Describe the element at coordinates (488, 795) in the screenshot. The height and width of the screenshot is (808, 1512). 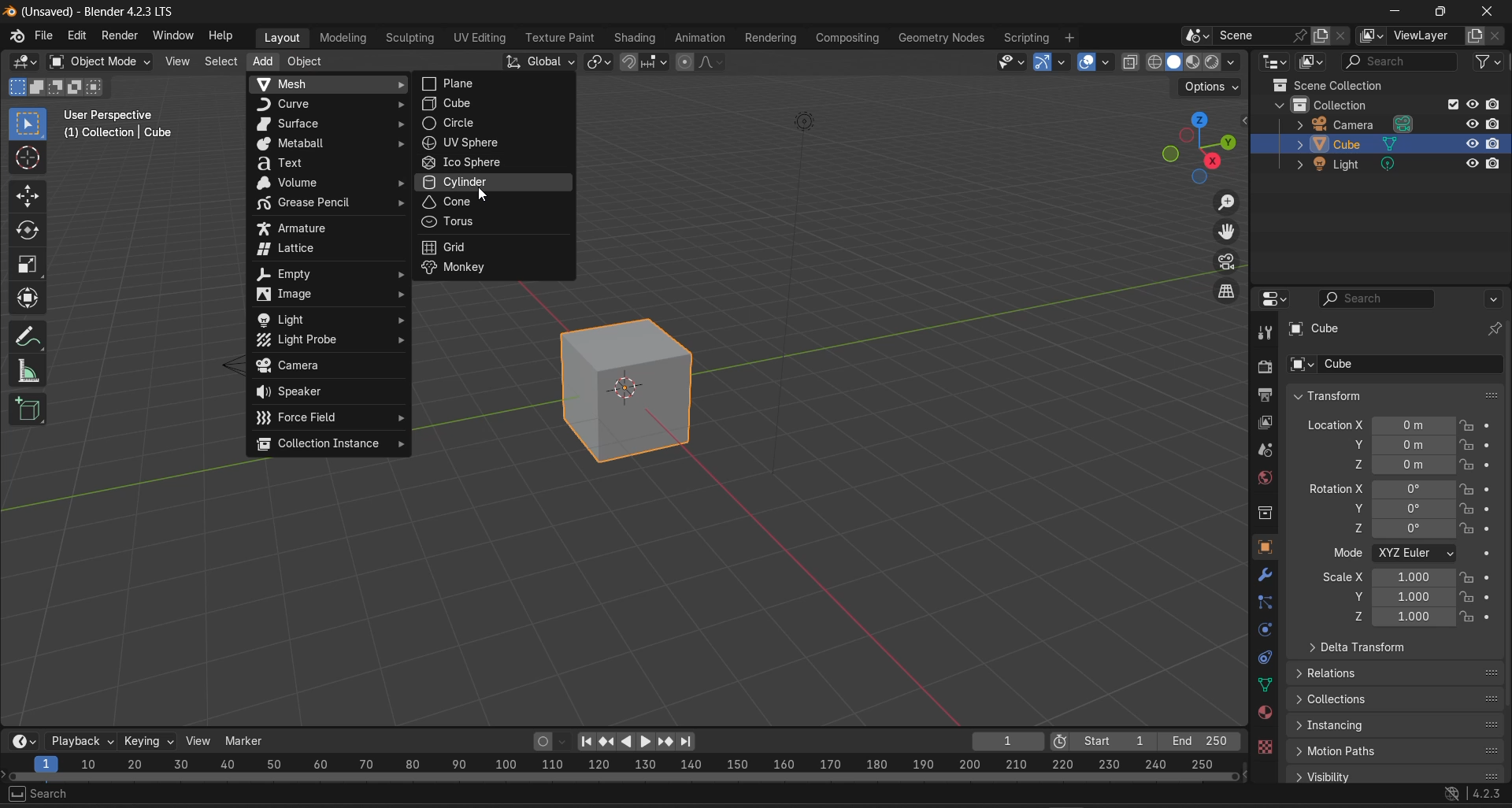
I see `object` at that location.